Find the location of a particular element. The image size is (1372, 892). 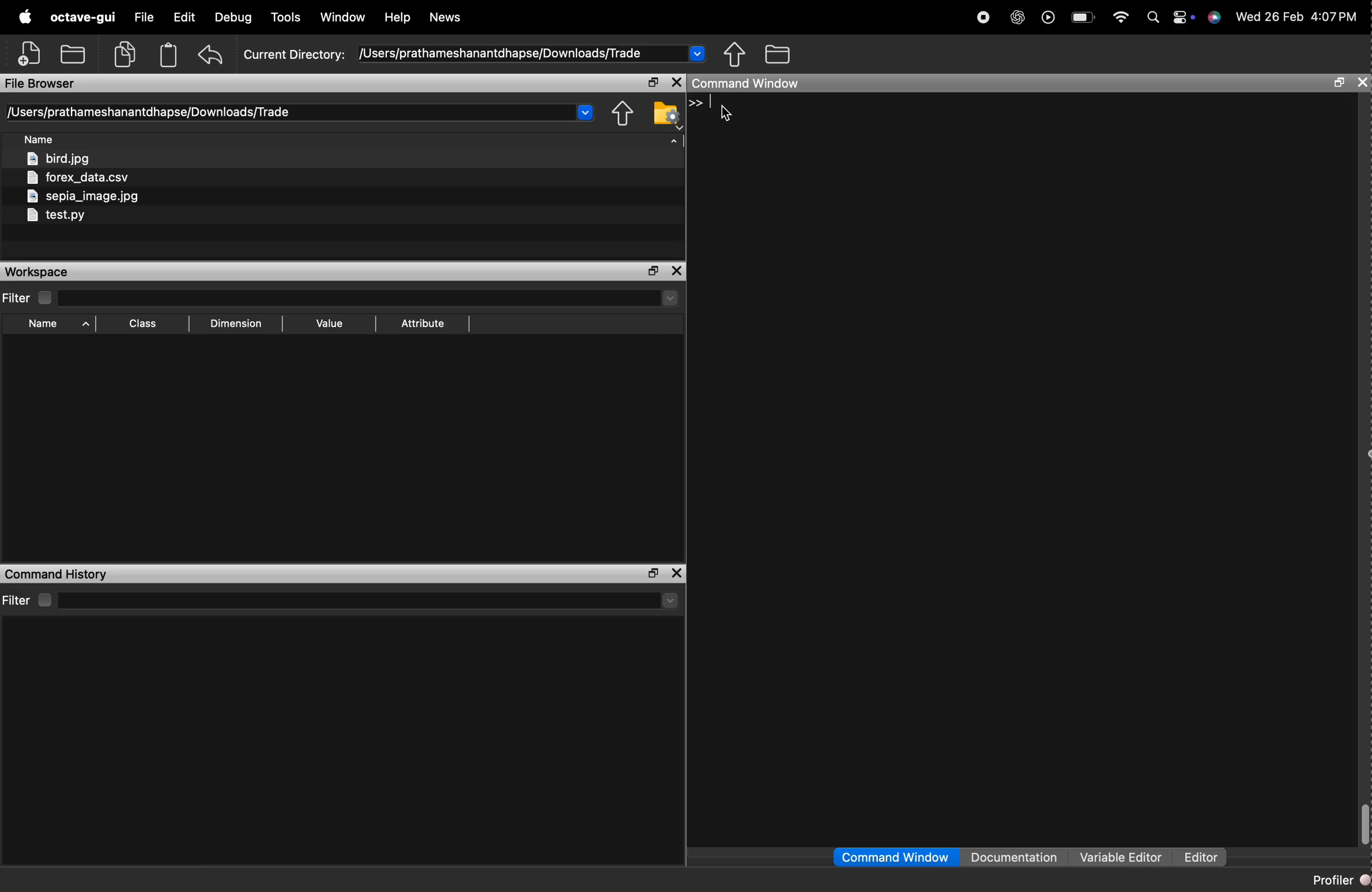

scrollbar is located at coordinates (1366, 825).